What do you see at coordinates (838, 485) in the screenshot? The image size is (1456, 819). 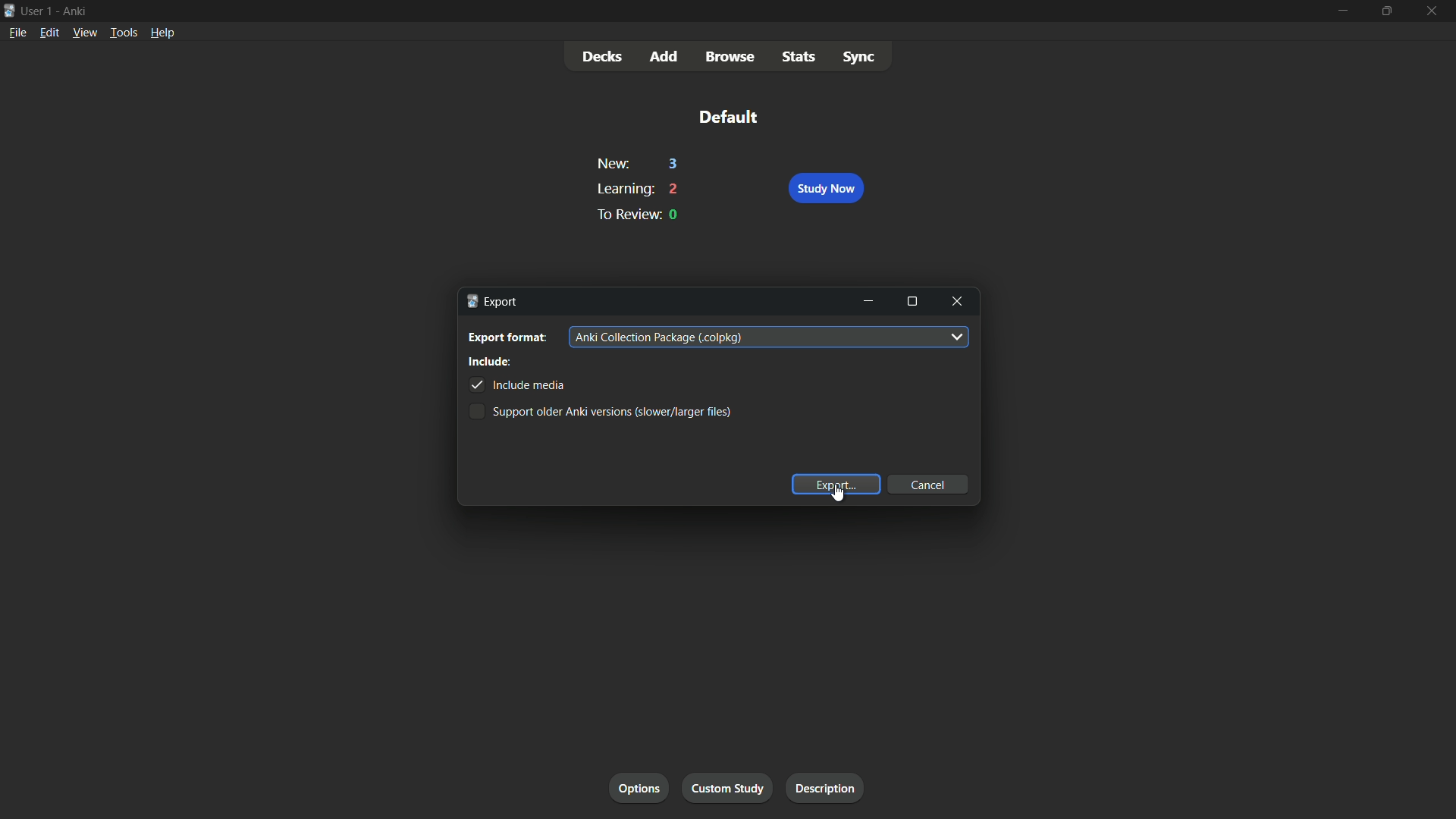 I see `export` at bounding box center [838, 485].